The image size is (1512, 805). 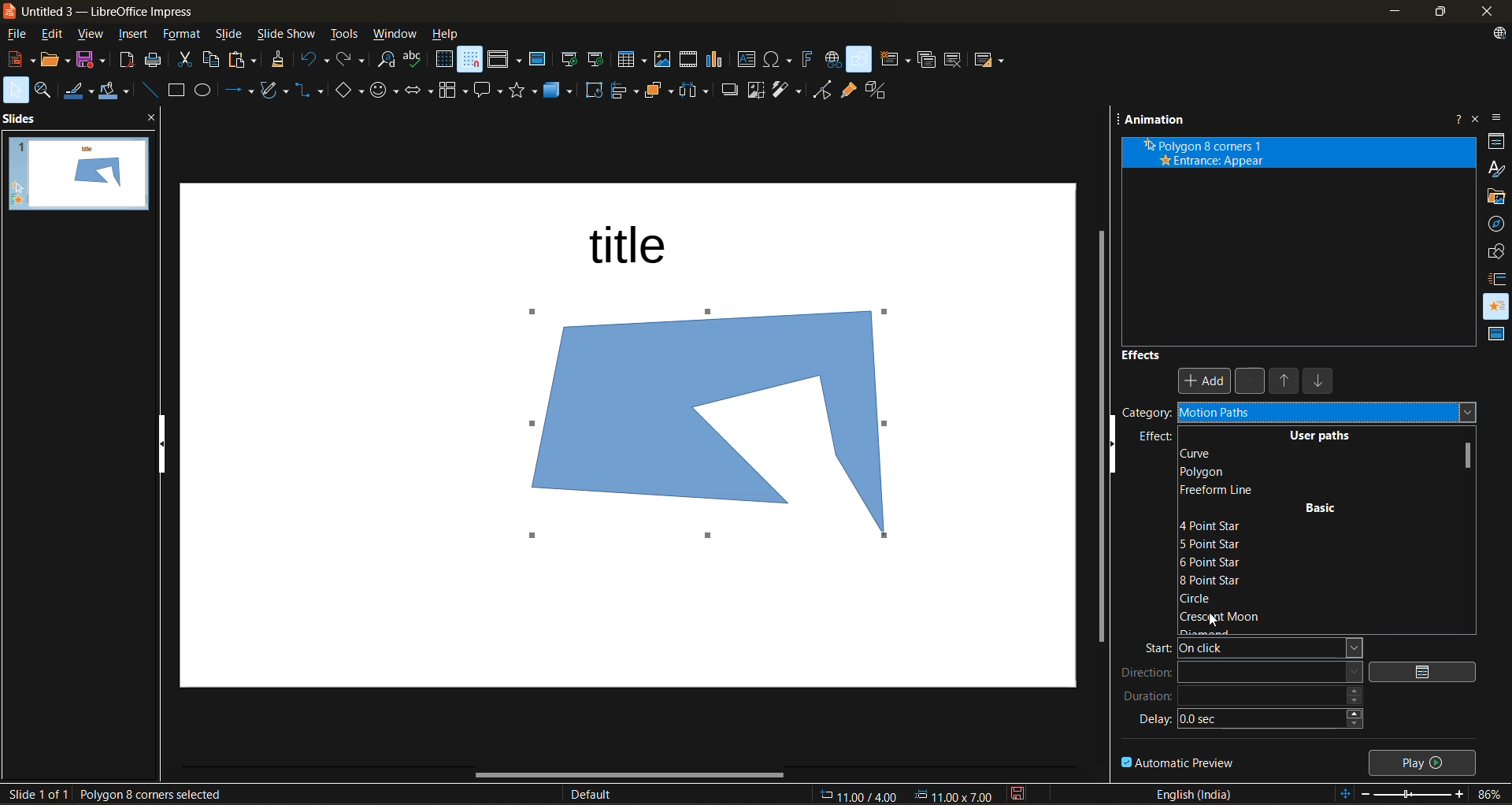 I want to click on paste, so click(x=244, y=59).